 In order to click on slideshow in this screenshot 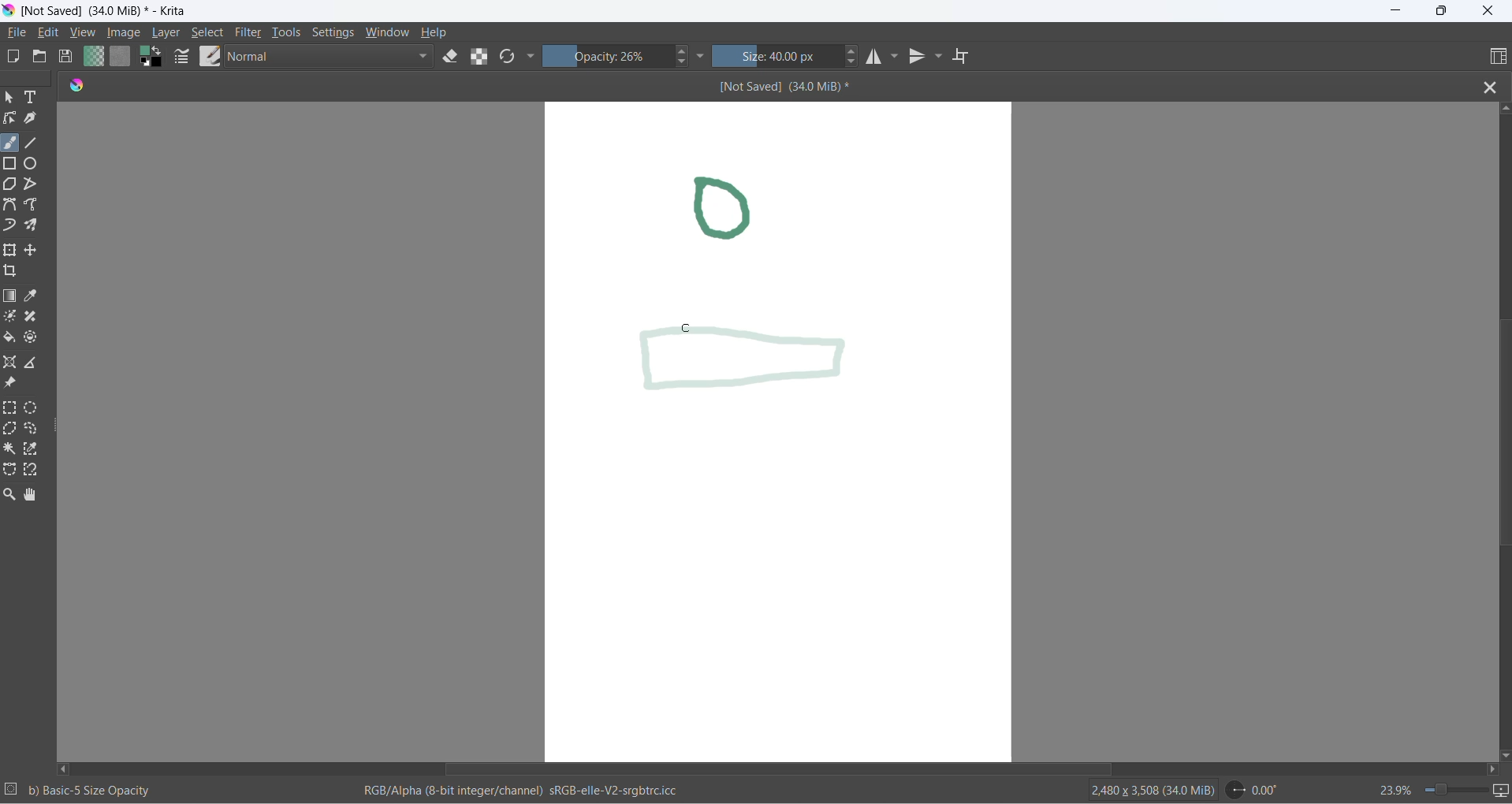, I will do `click(1502, 792)`.